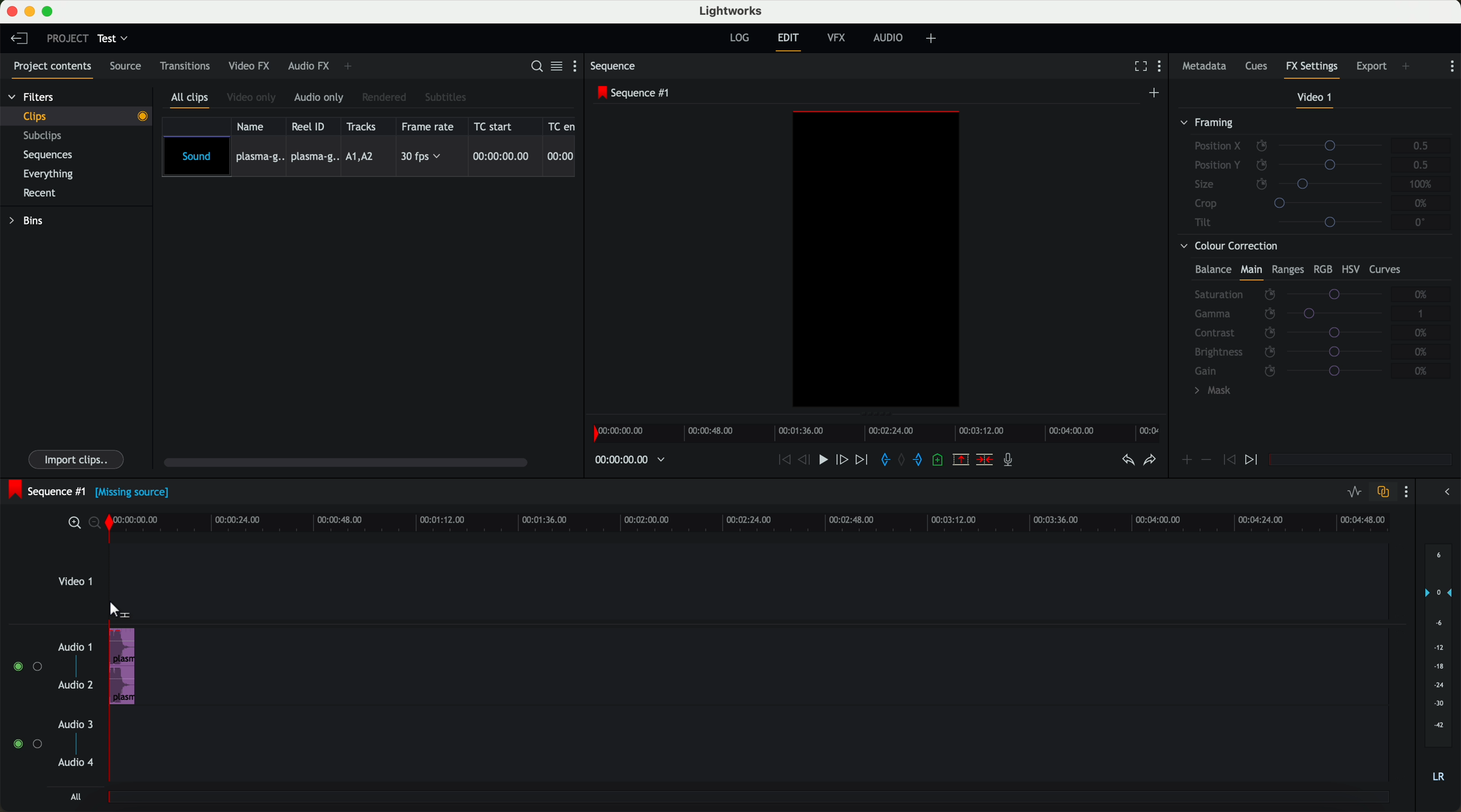 Image resolution: width=1461 pixels, height=812 pixels. Describe the element at coordinates (135, 494) in the screenshot. I see `(Missing source)` at that location.